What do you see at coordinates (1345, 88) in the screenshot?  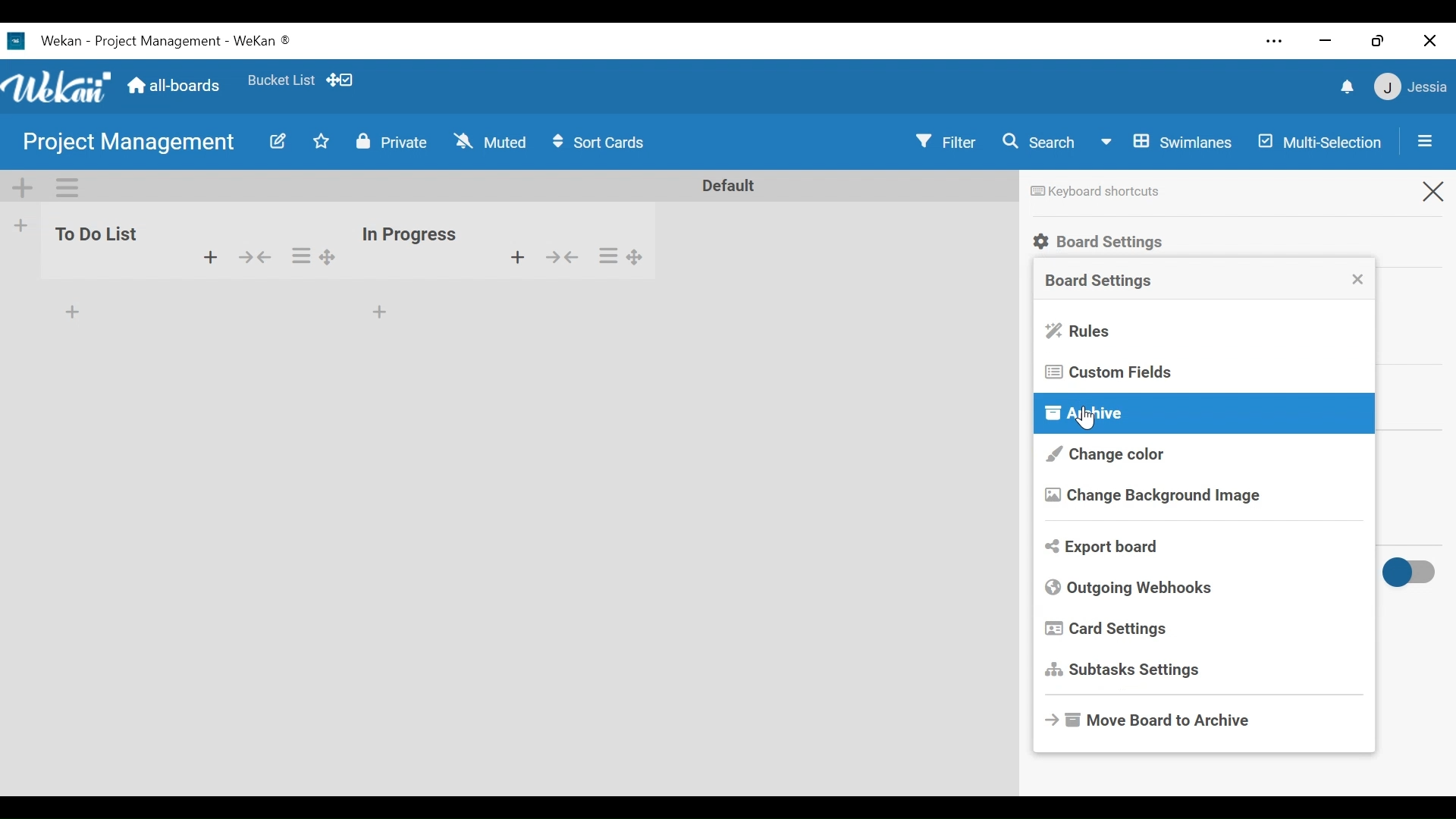 I see `notifications` at bounding box center [1345, 88].